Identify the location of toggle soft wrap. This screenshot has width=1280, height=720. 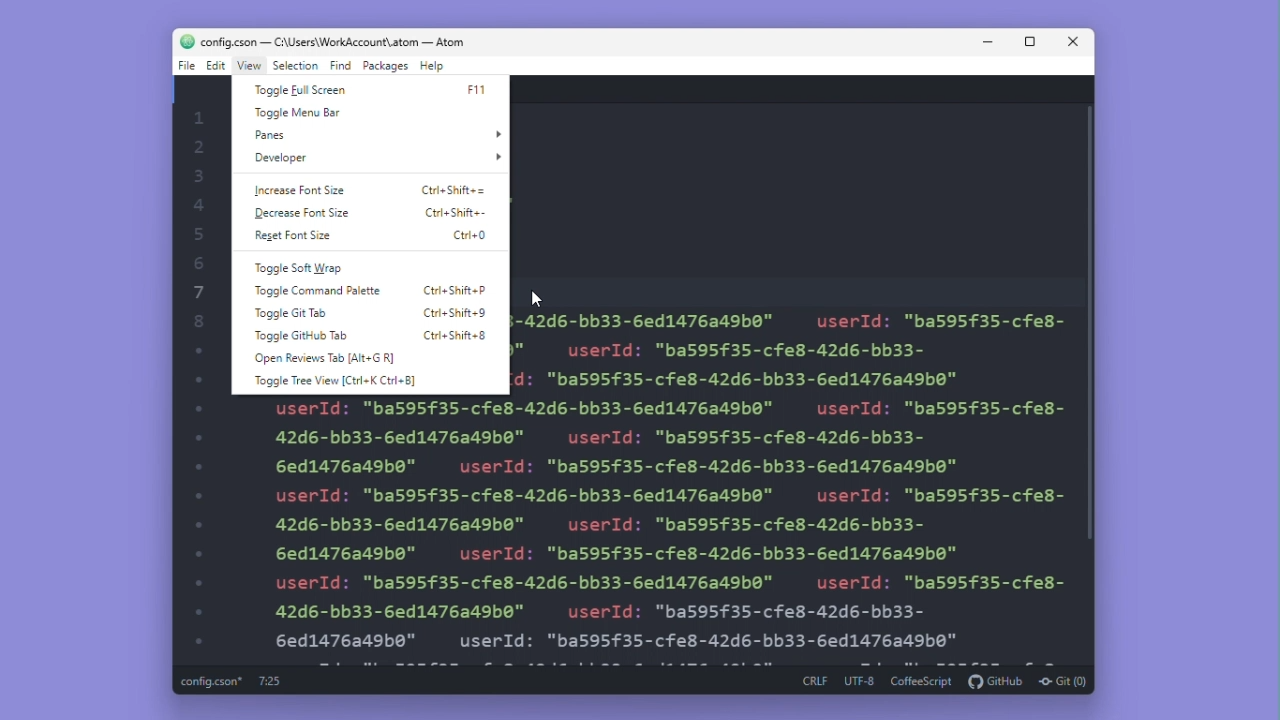
(310, 268).